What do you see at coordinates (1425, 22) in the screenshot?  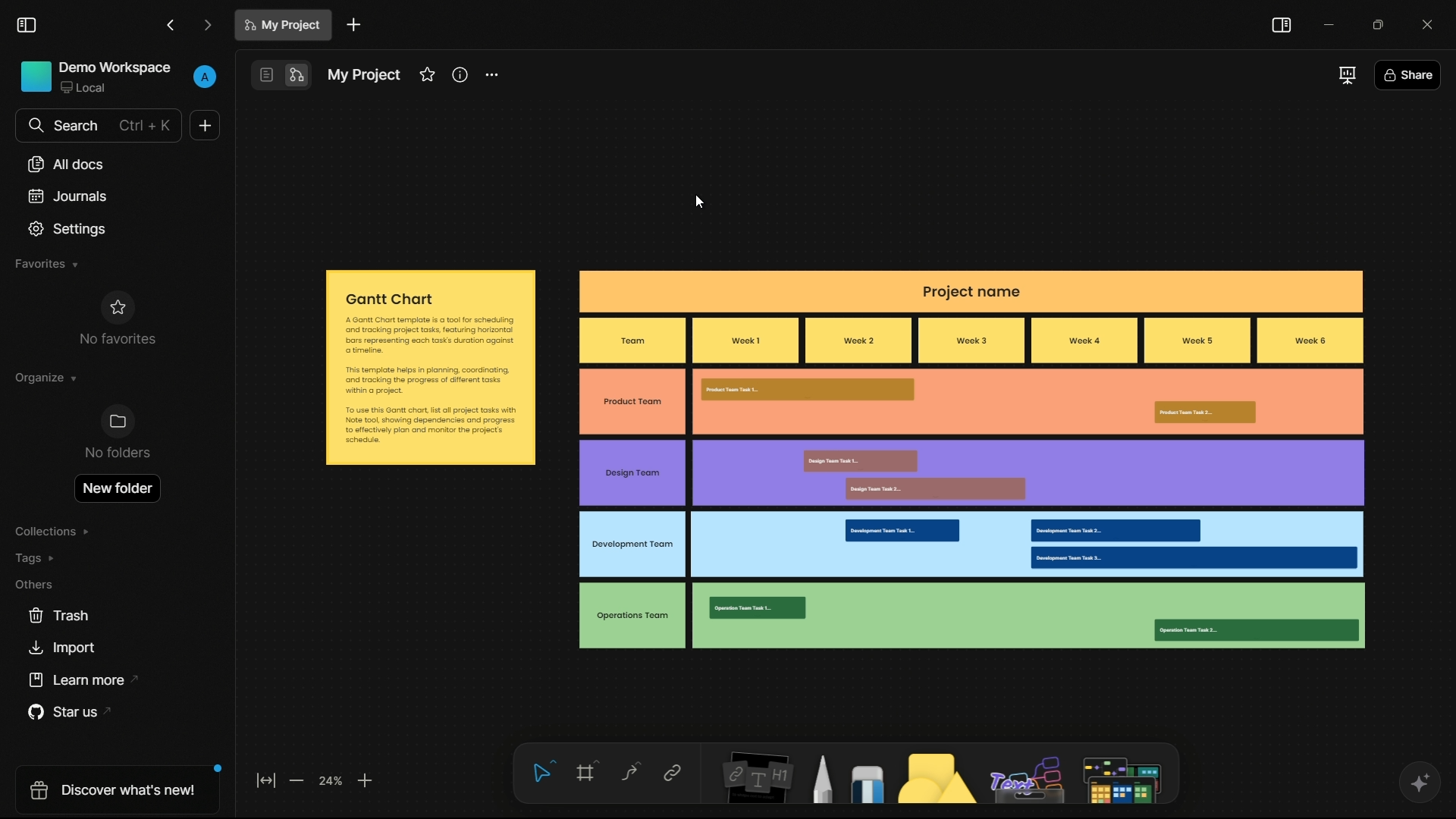 I see `close app` at bounding box center [1425, 22].